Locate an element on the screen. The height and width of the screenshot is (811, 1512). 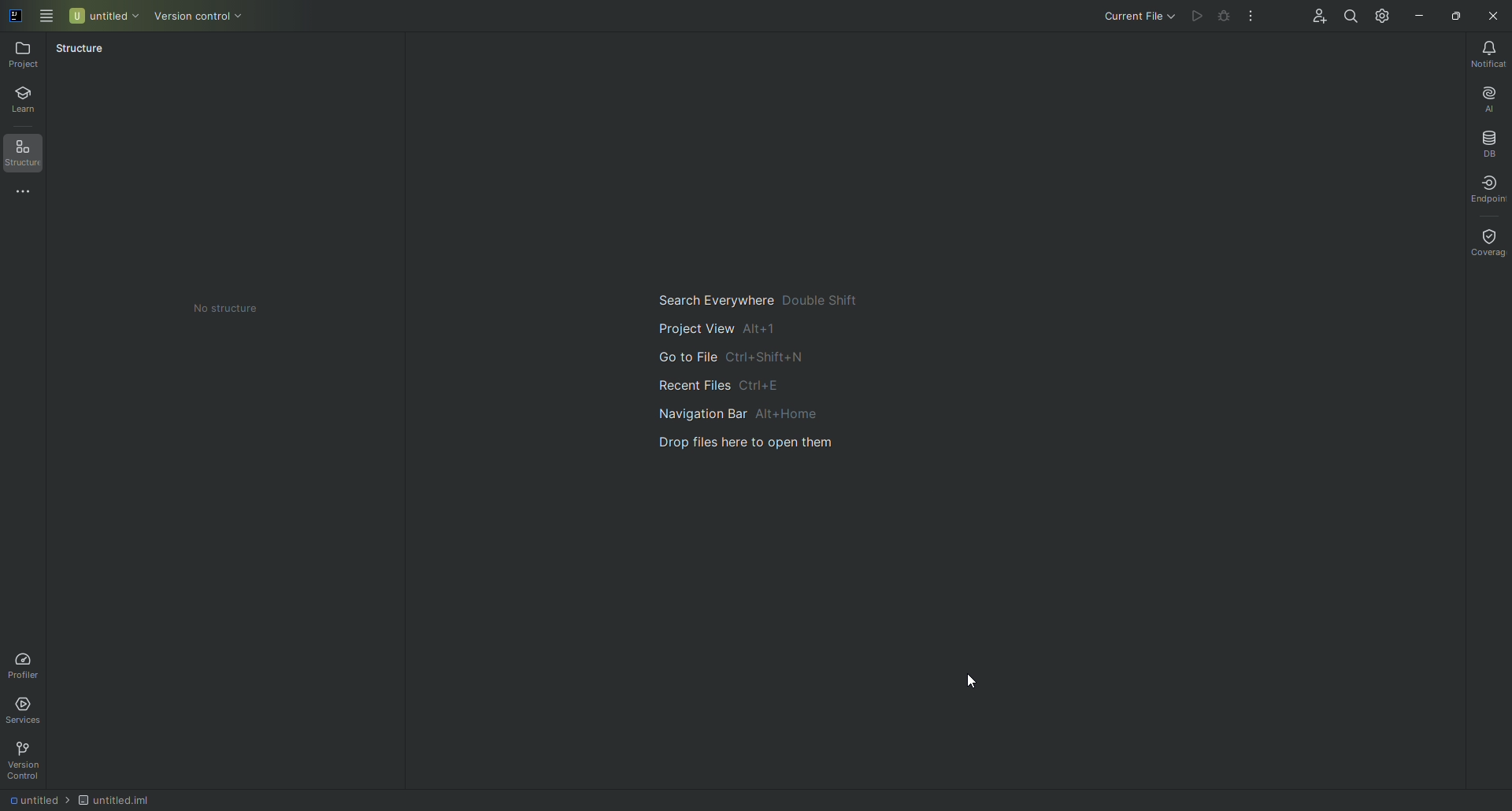
Updates and Settings is located at coordinates (1380, 15).